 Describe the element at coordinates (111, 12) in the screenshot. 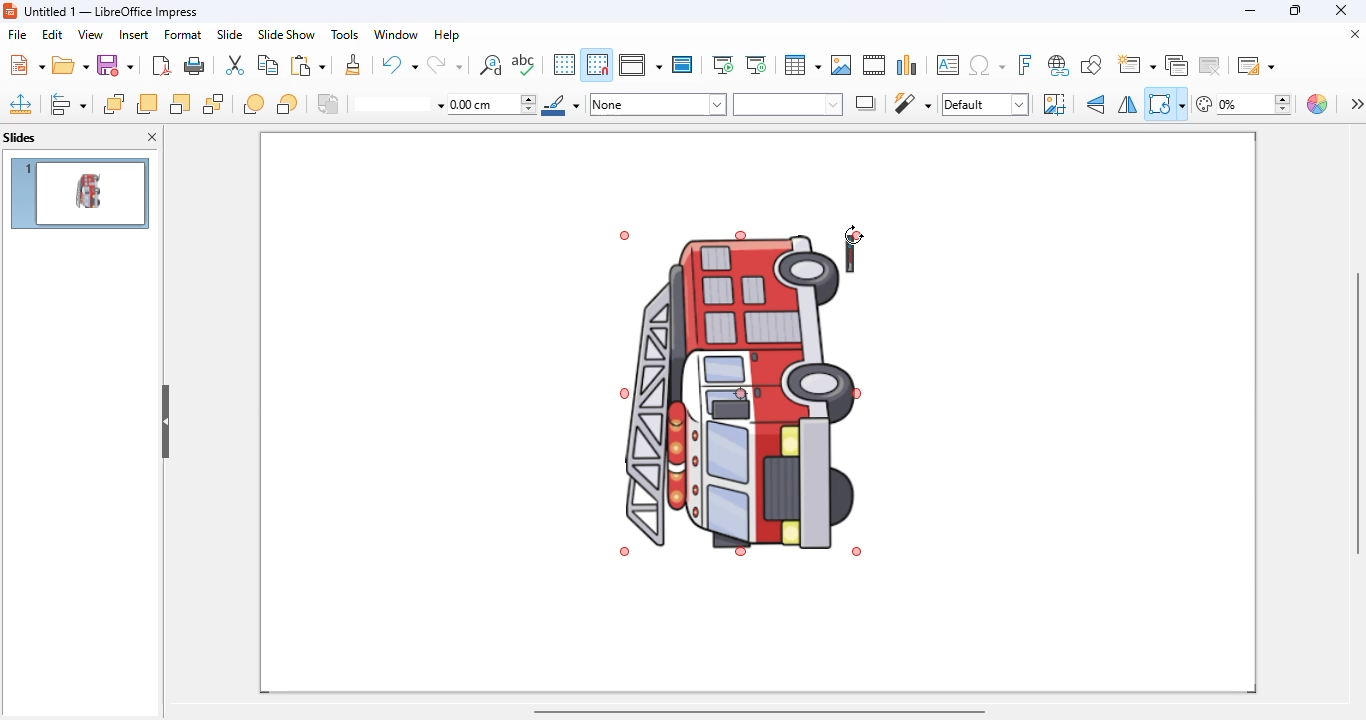

I see `title` at that location.